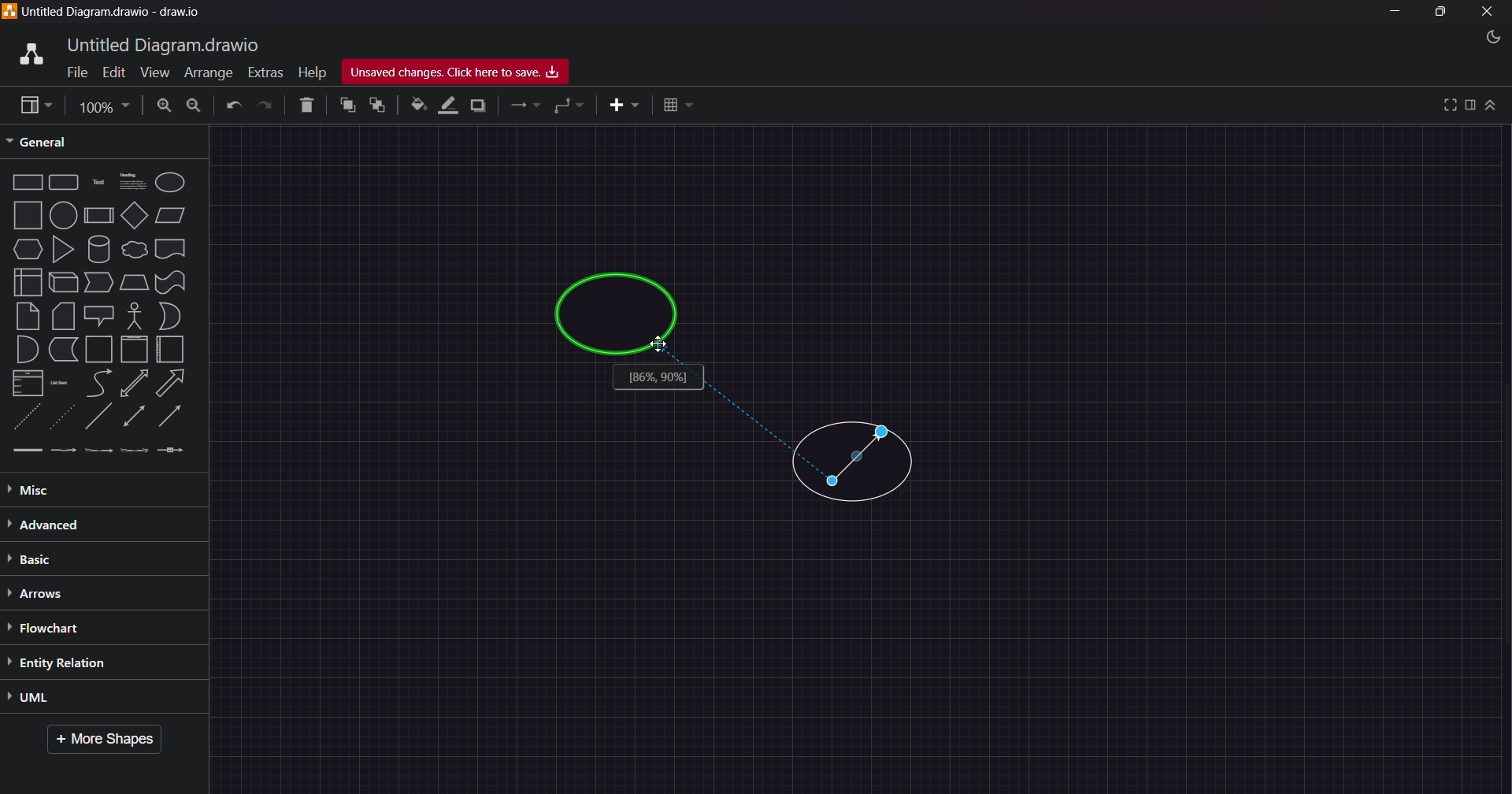 The width and height of the screenshot is (1512, 794). Describe the element at coordinates (165, 105) in the screenshot. I see `Zoom In` at that location.